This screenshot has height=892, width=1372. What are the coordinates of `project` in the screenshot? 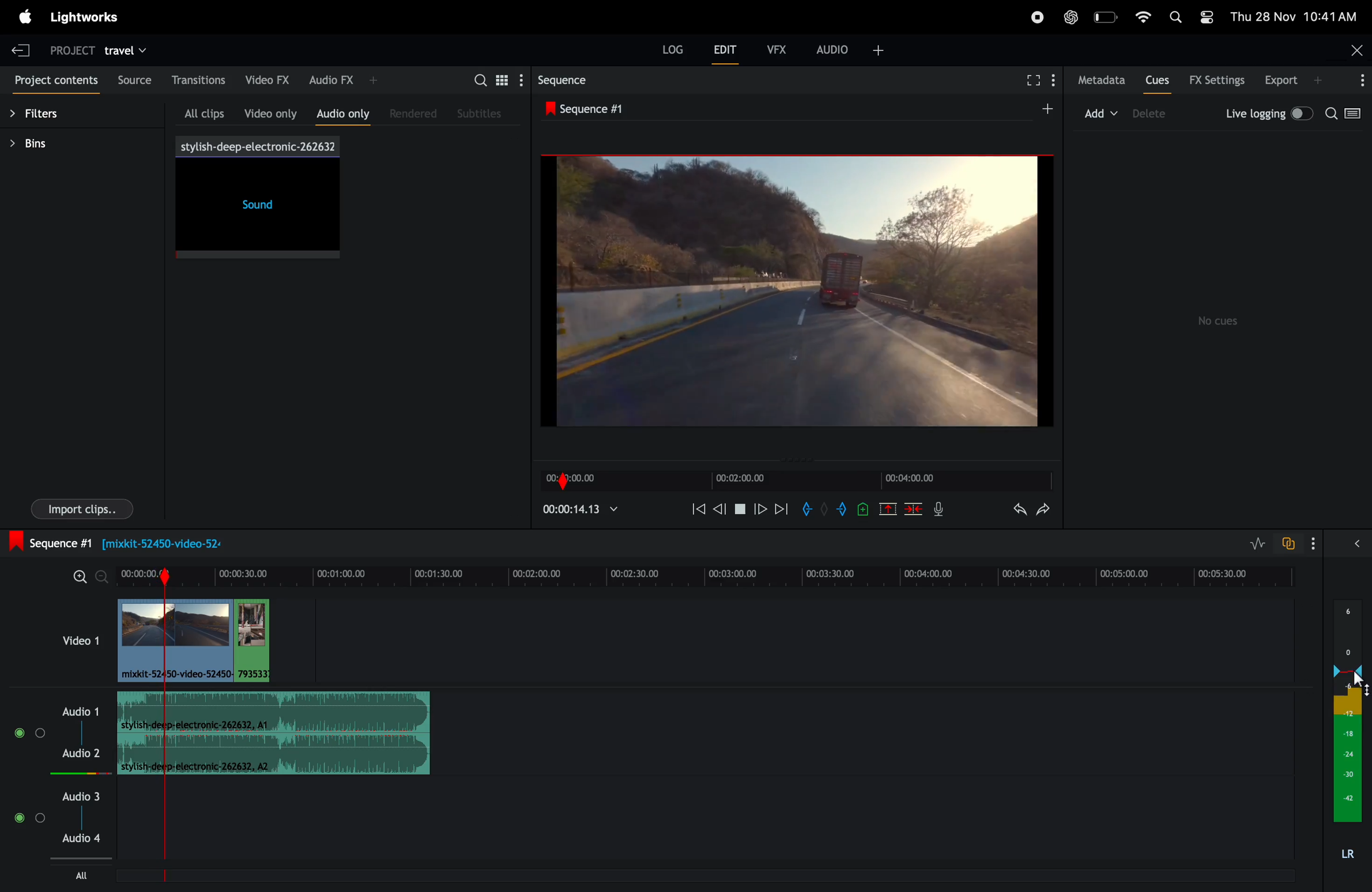 It's located at (71, 51).